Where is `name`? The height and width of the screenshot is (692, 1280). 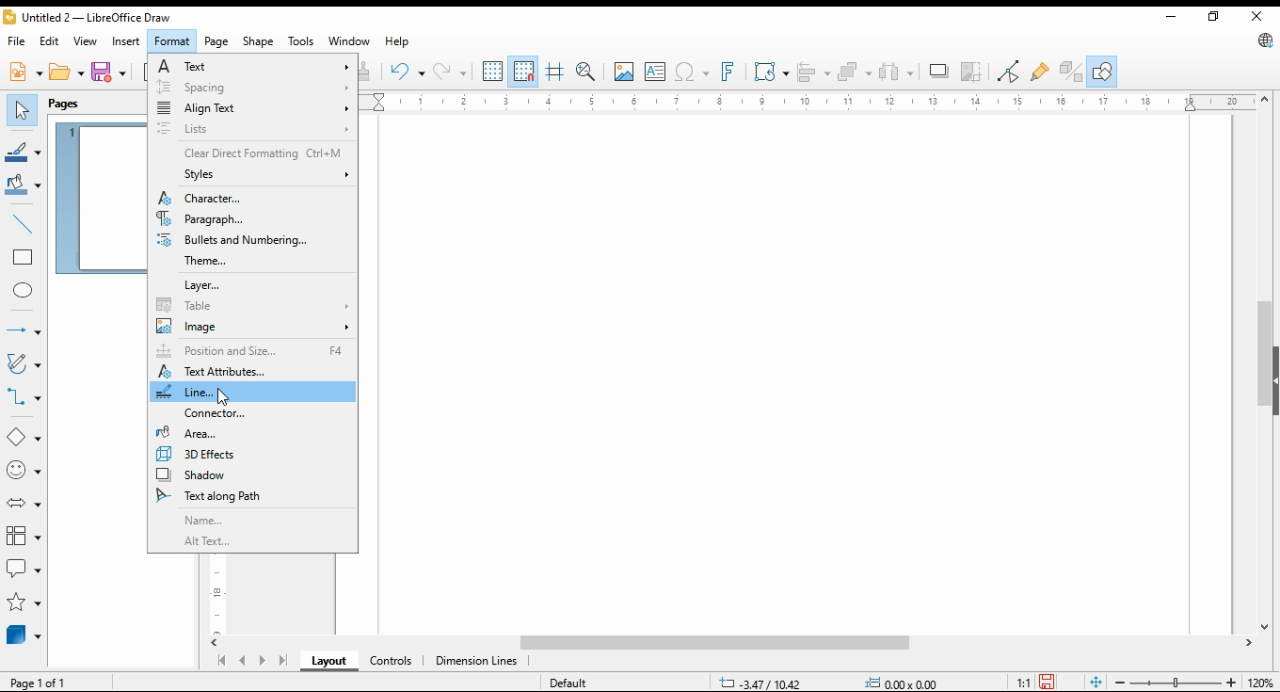 name is located at coordinates (248, 521).